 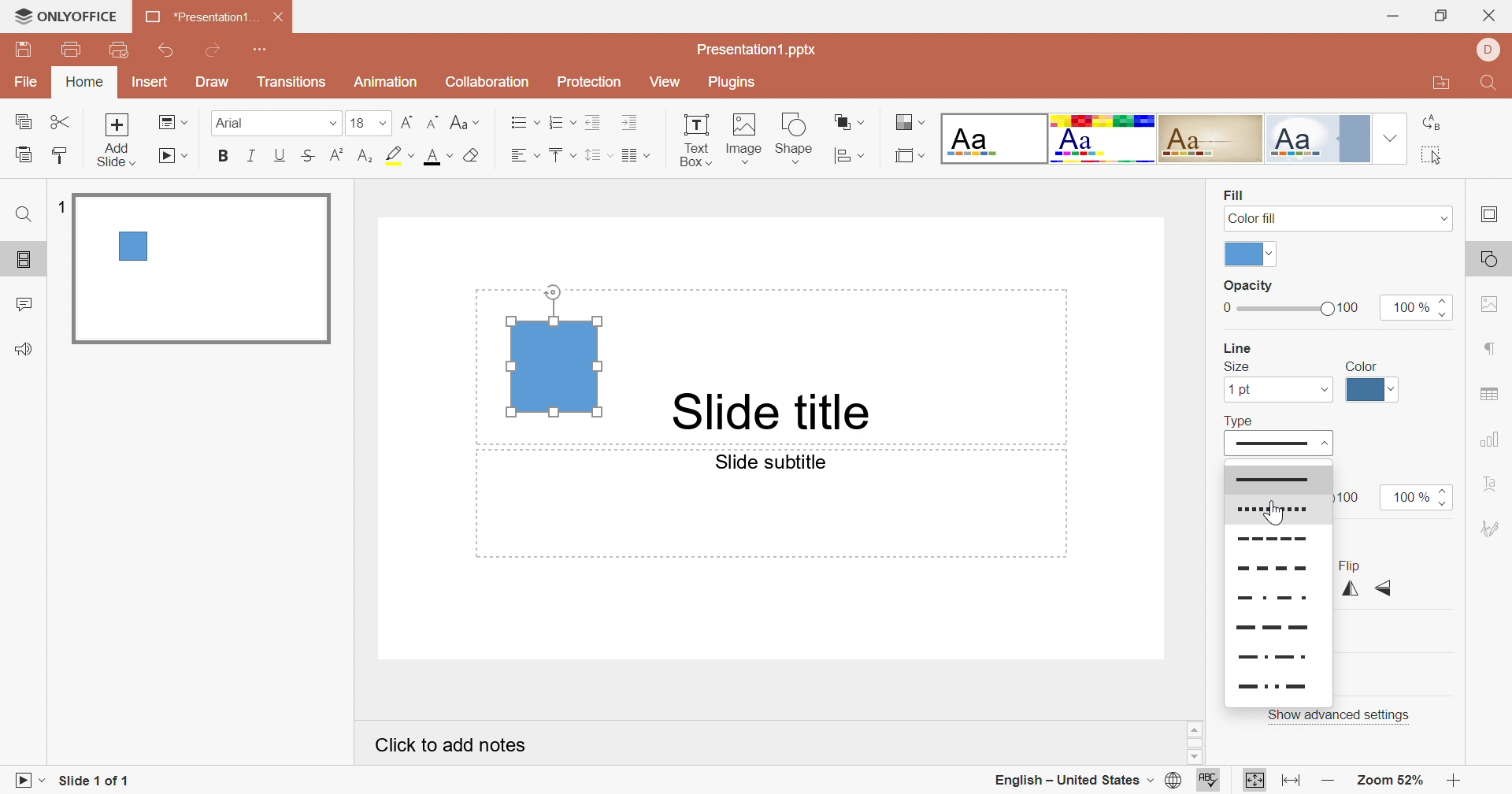 I want to click on Undo, so click(x=166, y=51).